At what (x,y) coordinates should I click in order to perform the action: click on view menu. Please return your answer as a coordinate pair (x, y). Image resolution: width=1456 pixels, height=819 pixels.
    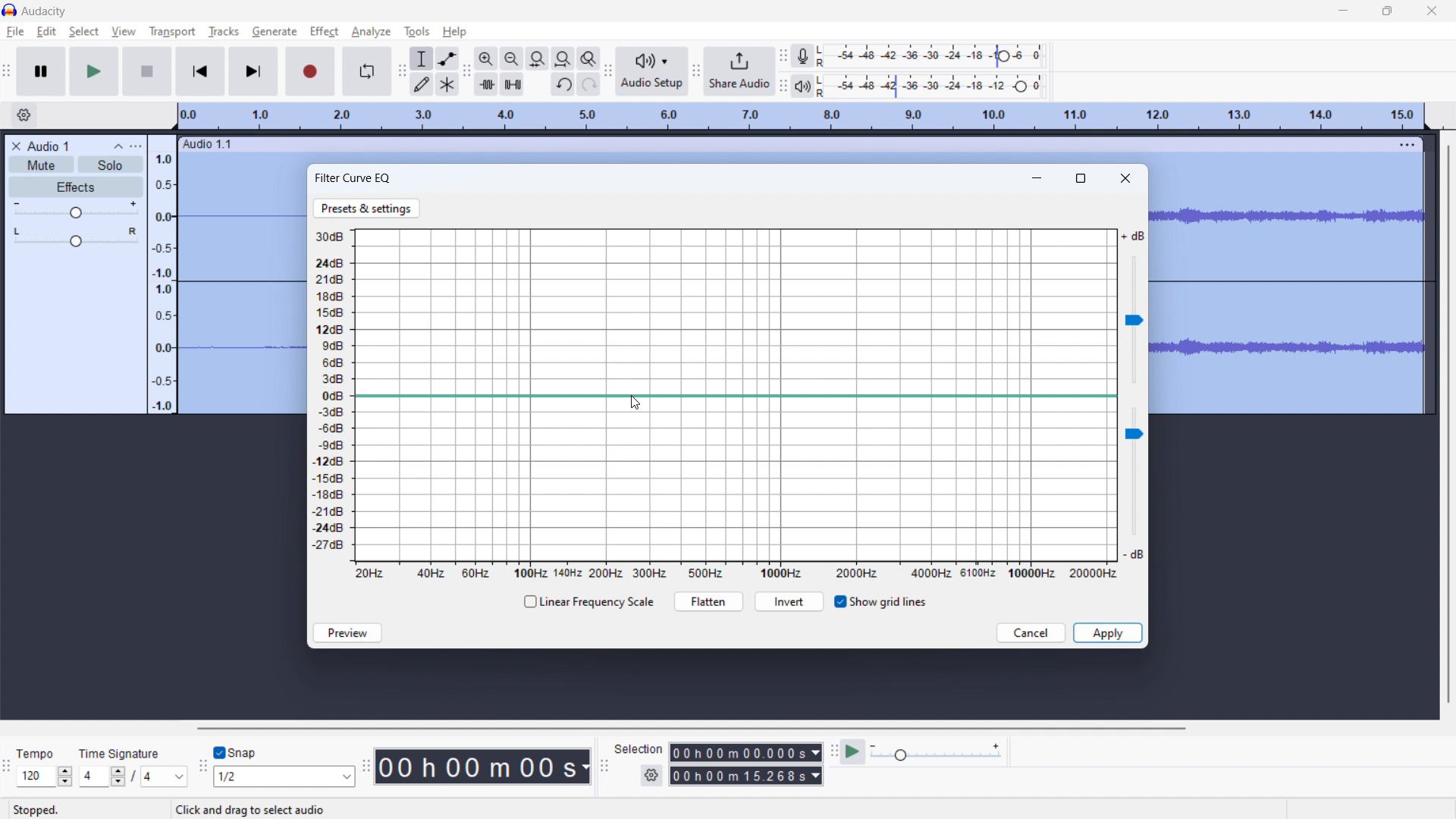
    Looking at the image, I should click on (136, 146).